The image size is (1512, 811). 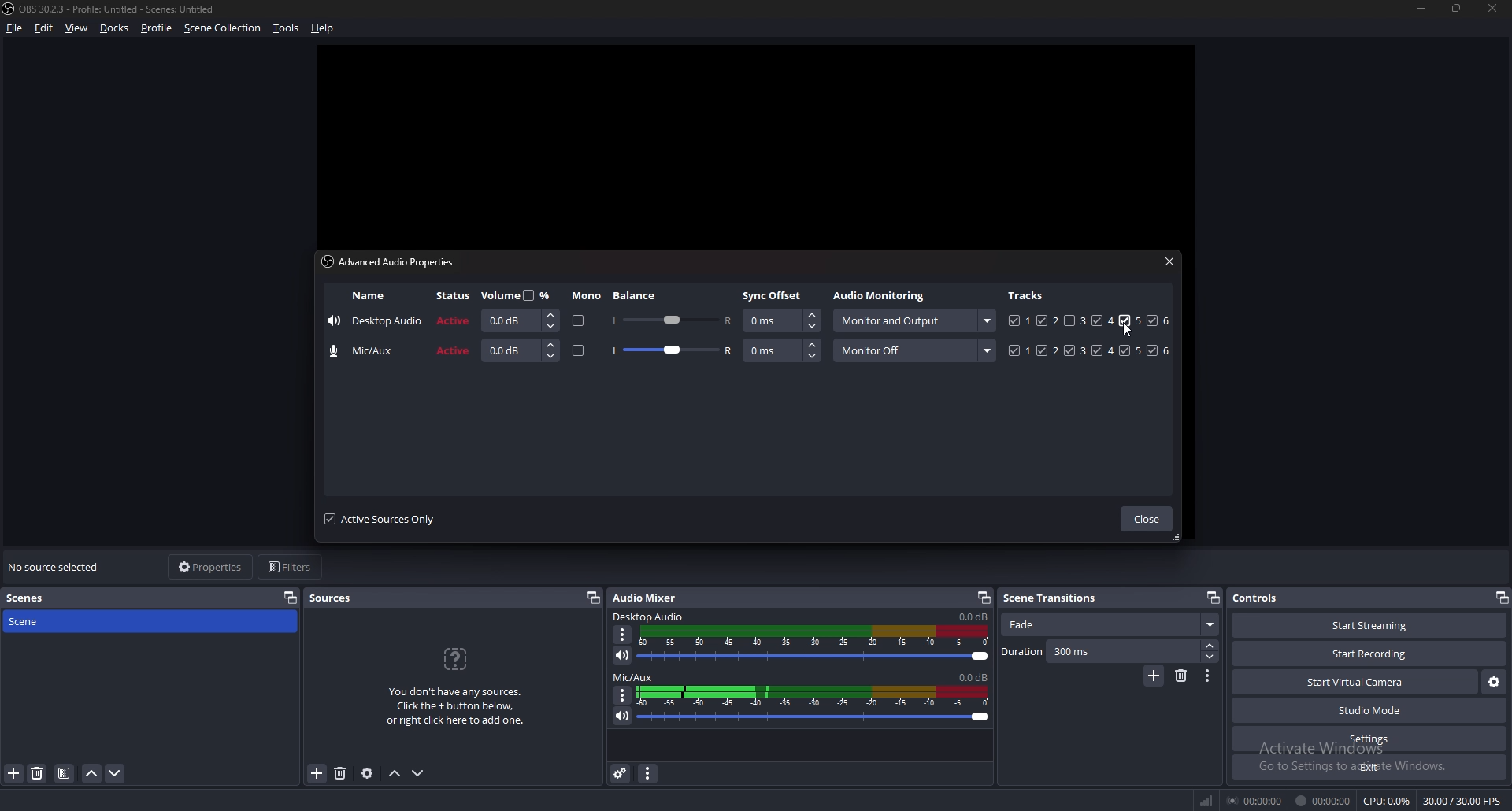 What do you see at coordinates (419, 773) in the screenshot?
I see `move sources down` at bounding box center [419, 773].